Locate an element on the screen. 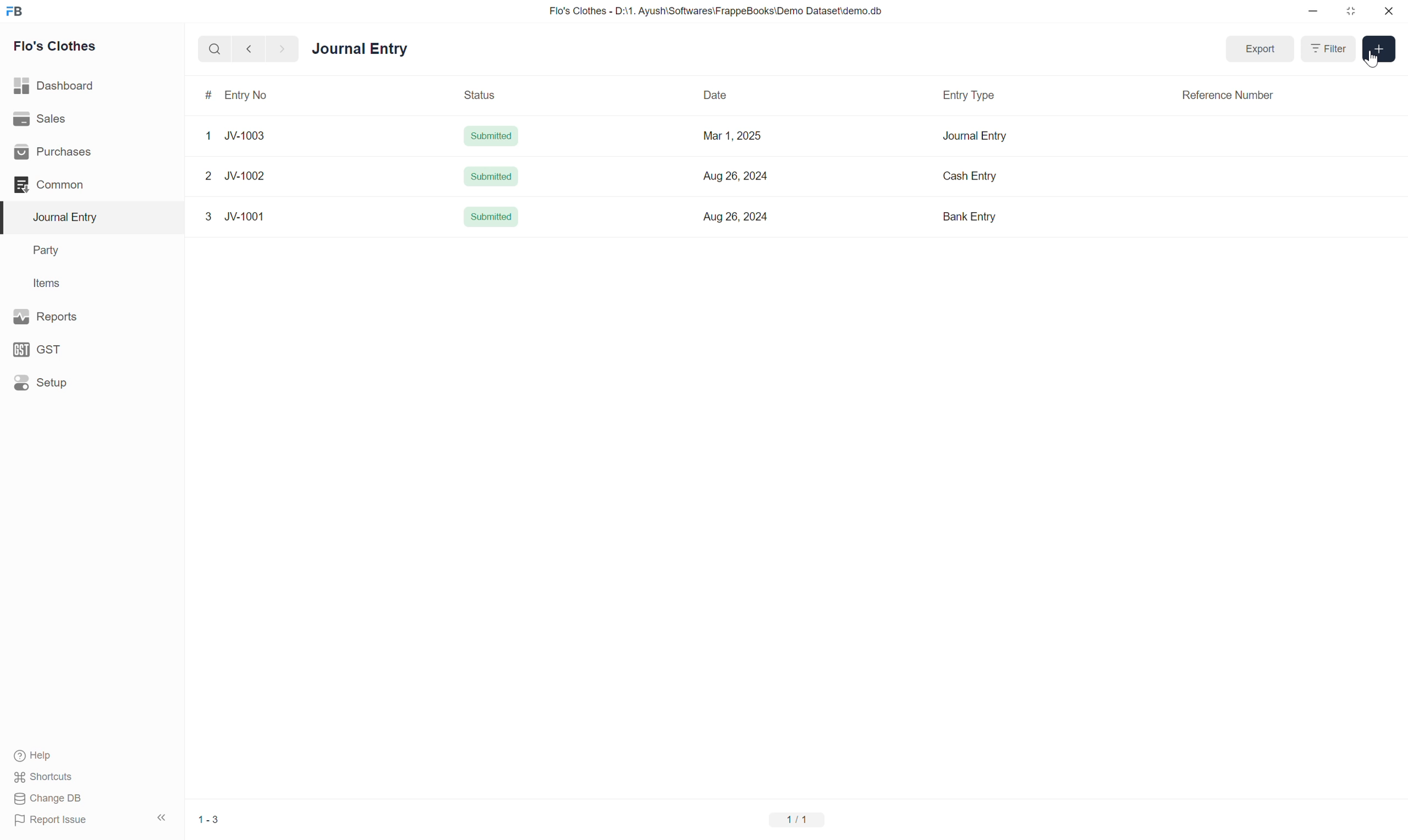 Image resolution: width=1408 pixels, height=840 pixels. Shortcuts is located at coordinates (48, 777).